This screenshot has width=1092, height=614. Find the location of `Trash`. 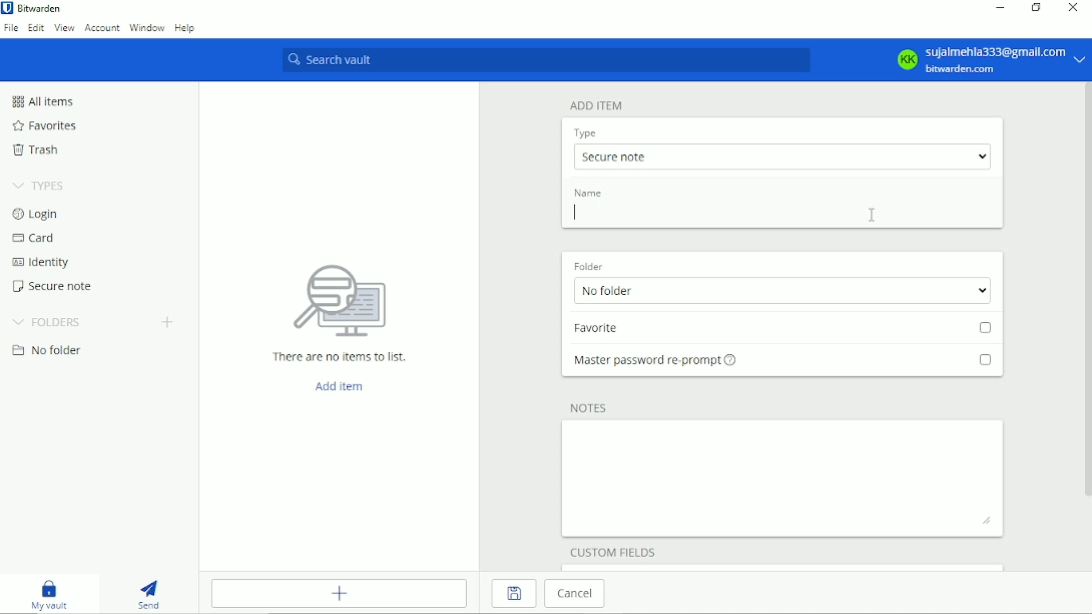

Trash is located at coordinates (35, 149).